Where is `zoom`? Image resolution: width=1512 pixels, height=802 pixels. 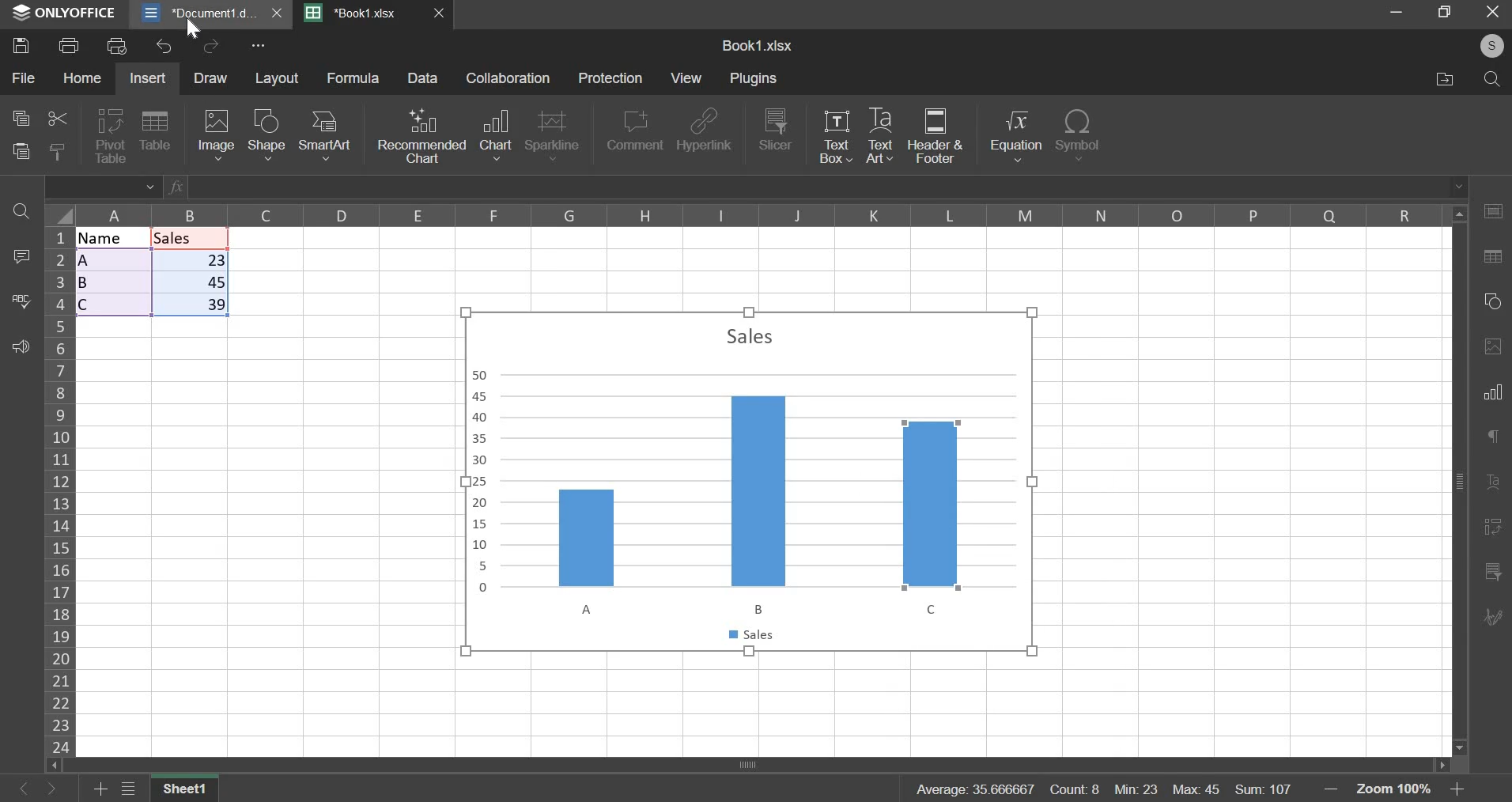 zoom is located at coordinates (1393, 788).